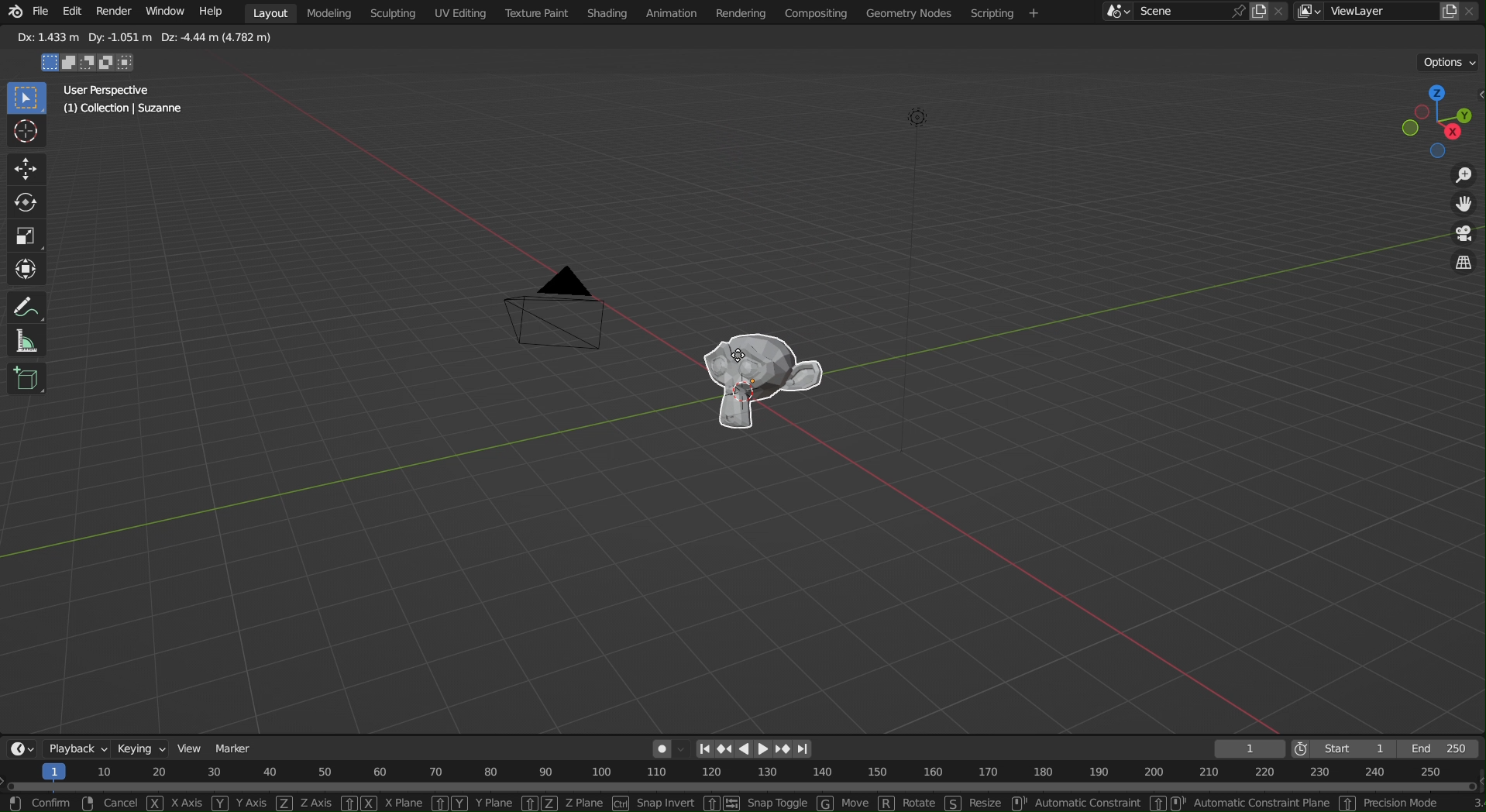 The width and height of the screenshot is (1486, 812). Describe the element at coordinates (23, 342) in the screenshot. I see `Measure` at that location.